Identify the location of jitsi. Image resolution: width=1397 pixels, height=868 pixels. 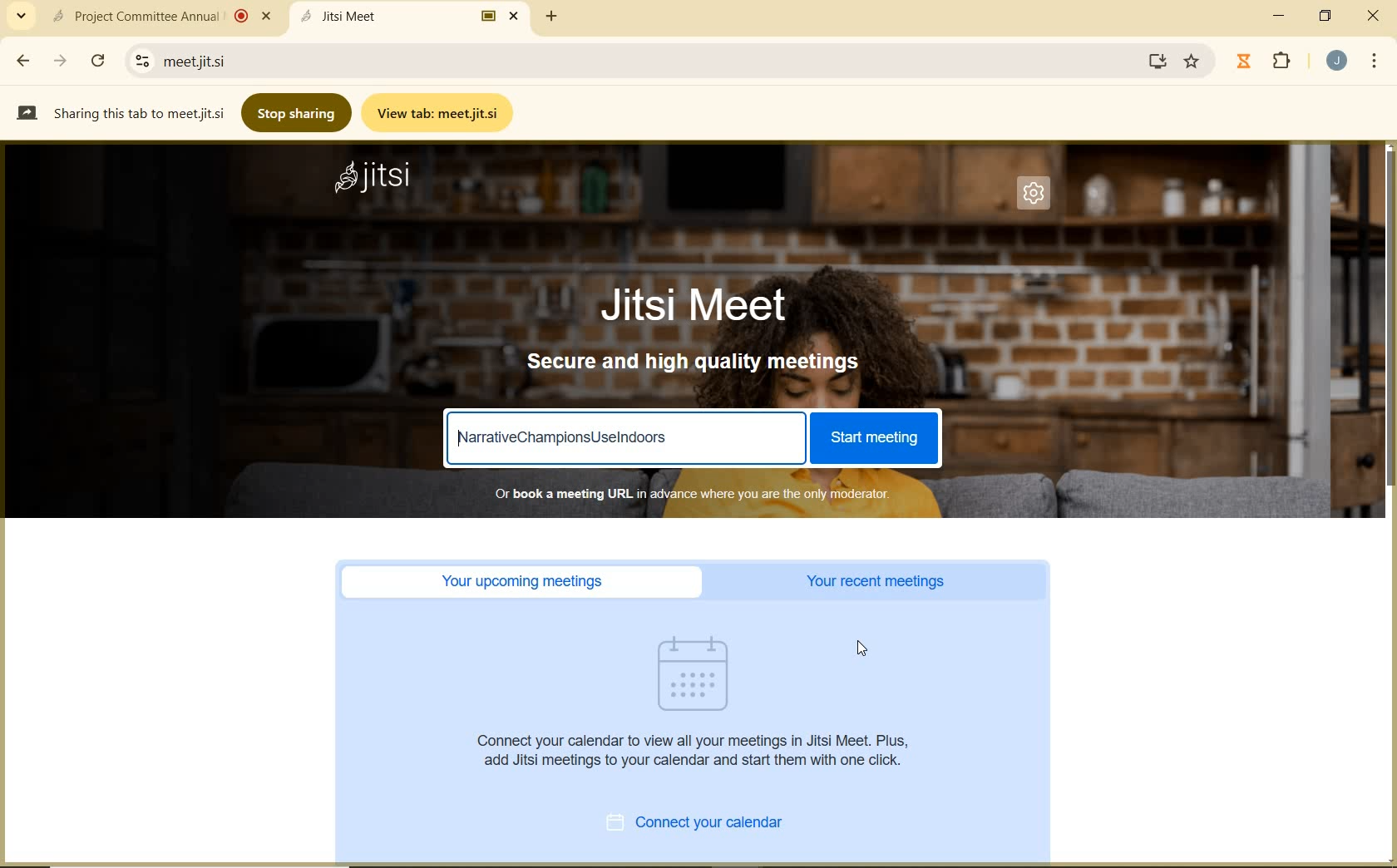
(374, 180).